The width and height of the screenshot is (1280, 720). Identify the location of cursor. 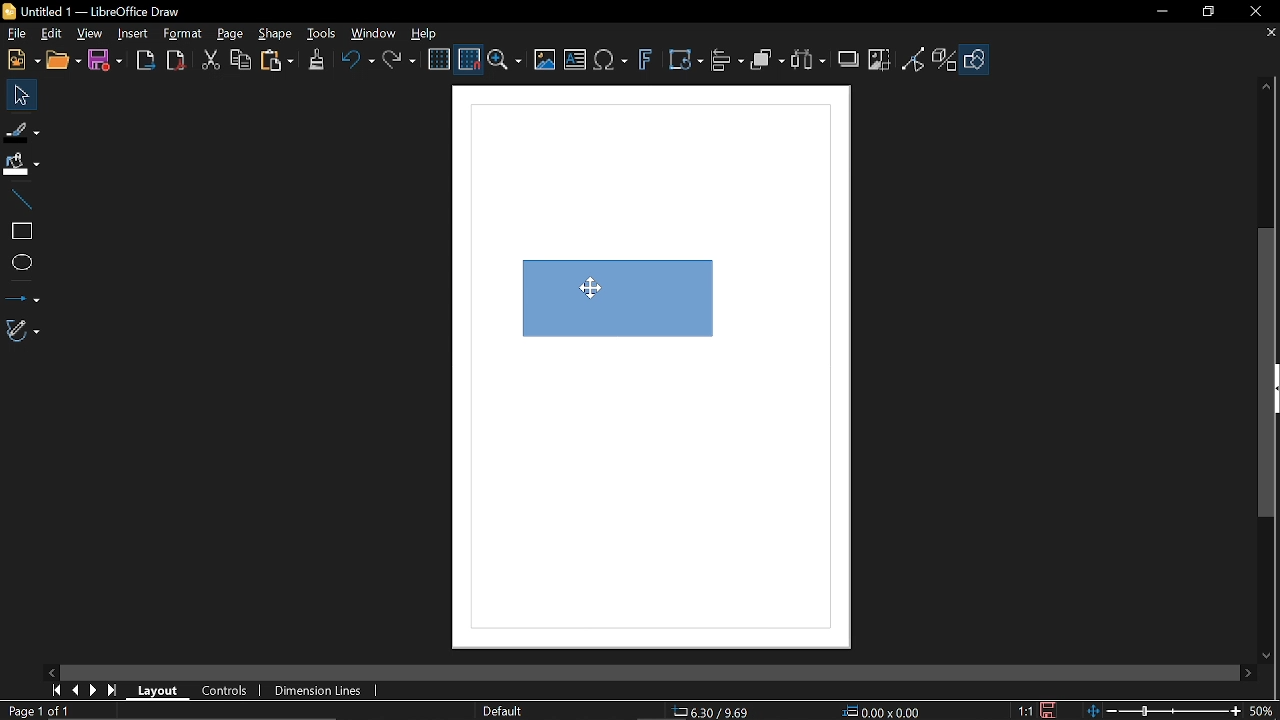
(598, 286).